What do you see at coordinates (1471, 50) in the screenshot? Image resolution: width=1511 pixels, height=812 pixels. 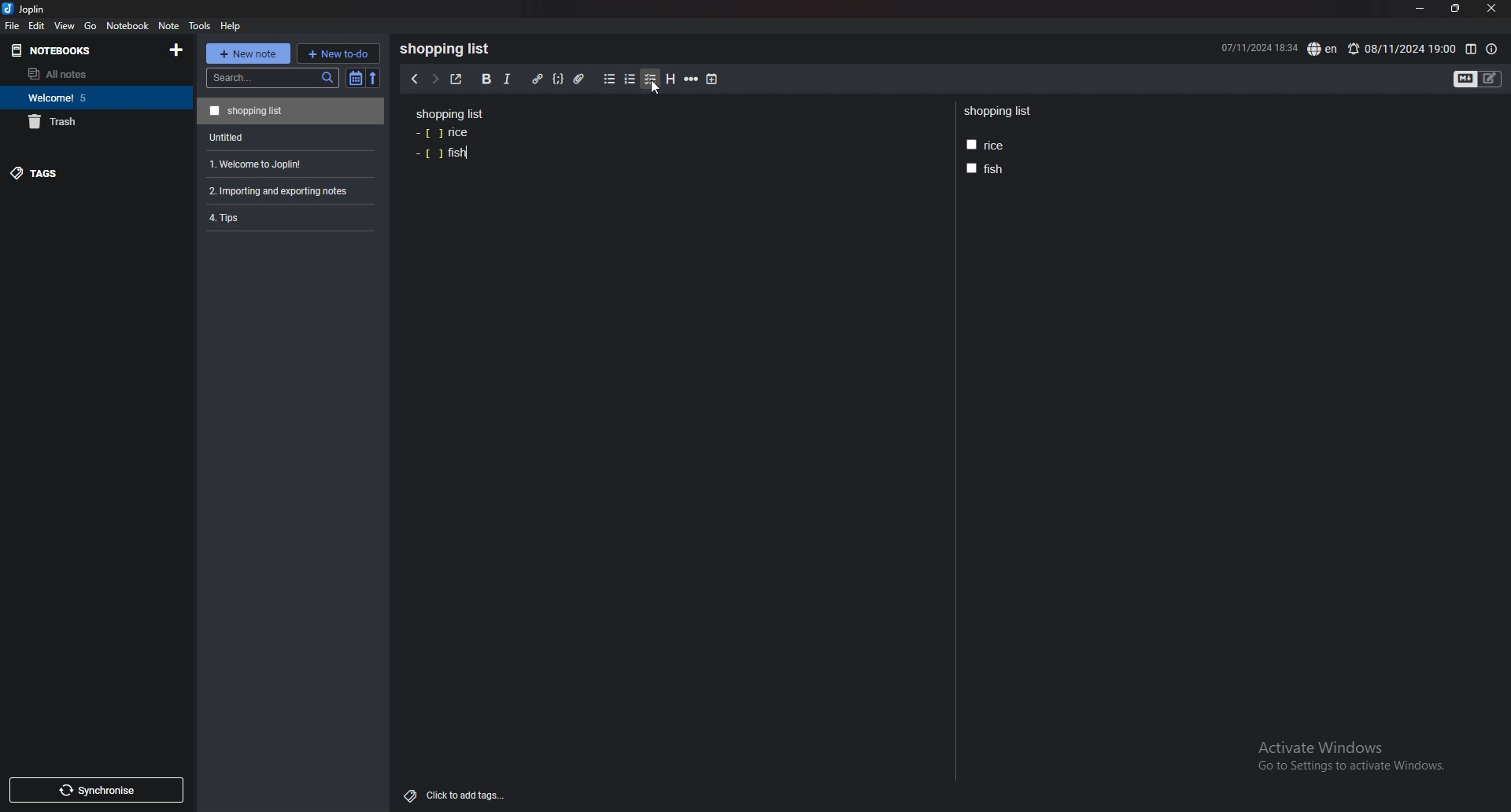 I see `toggle editor layout` at bounding box center [1471, 50].